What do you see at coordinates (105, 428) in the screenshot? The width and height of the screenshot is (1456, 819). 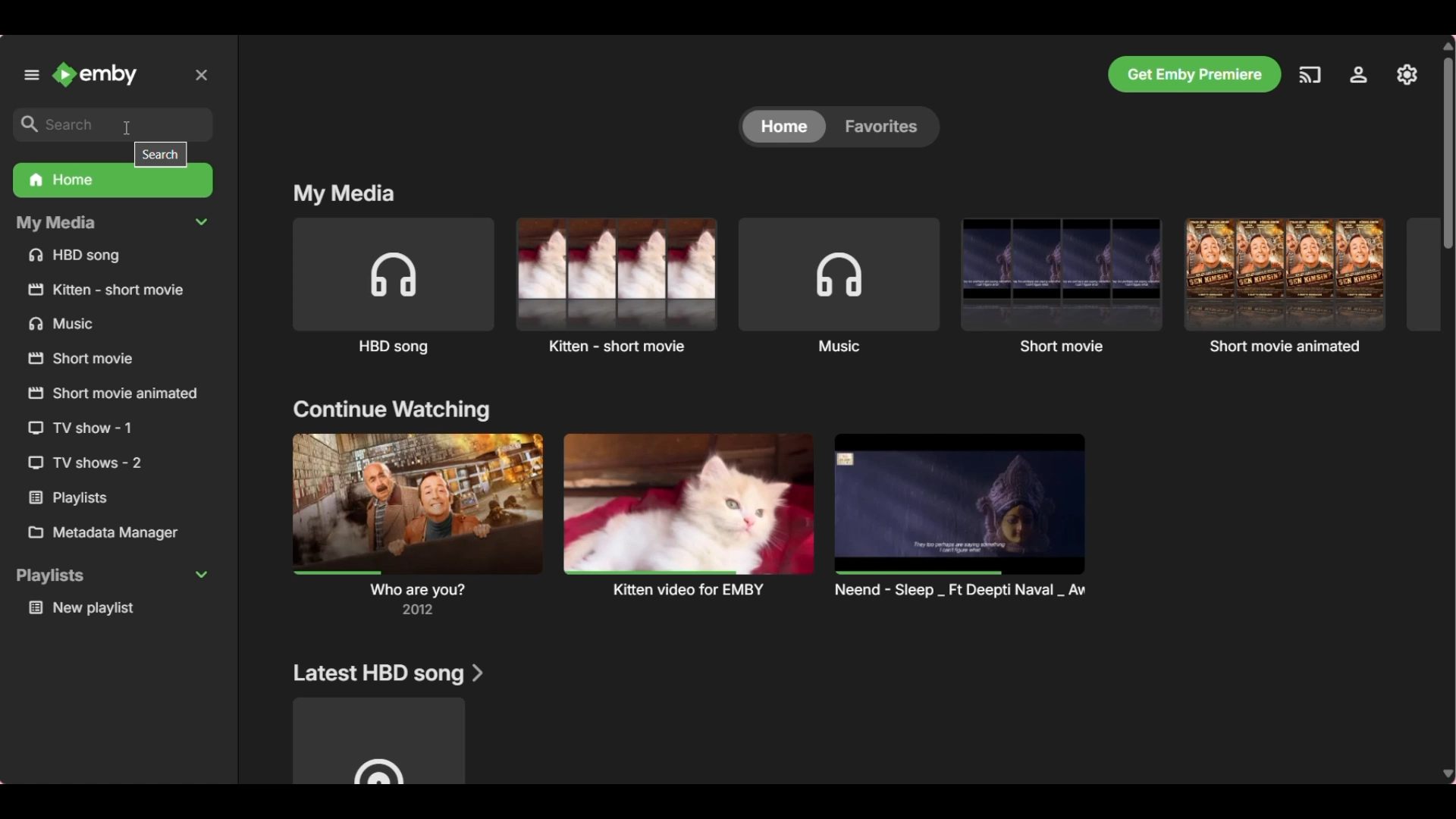 I see `` at bounding box center [105, 428].